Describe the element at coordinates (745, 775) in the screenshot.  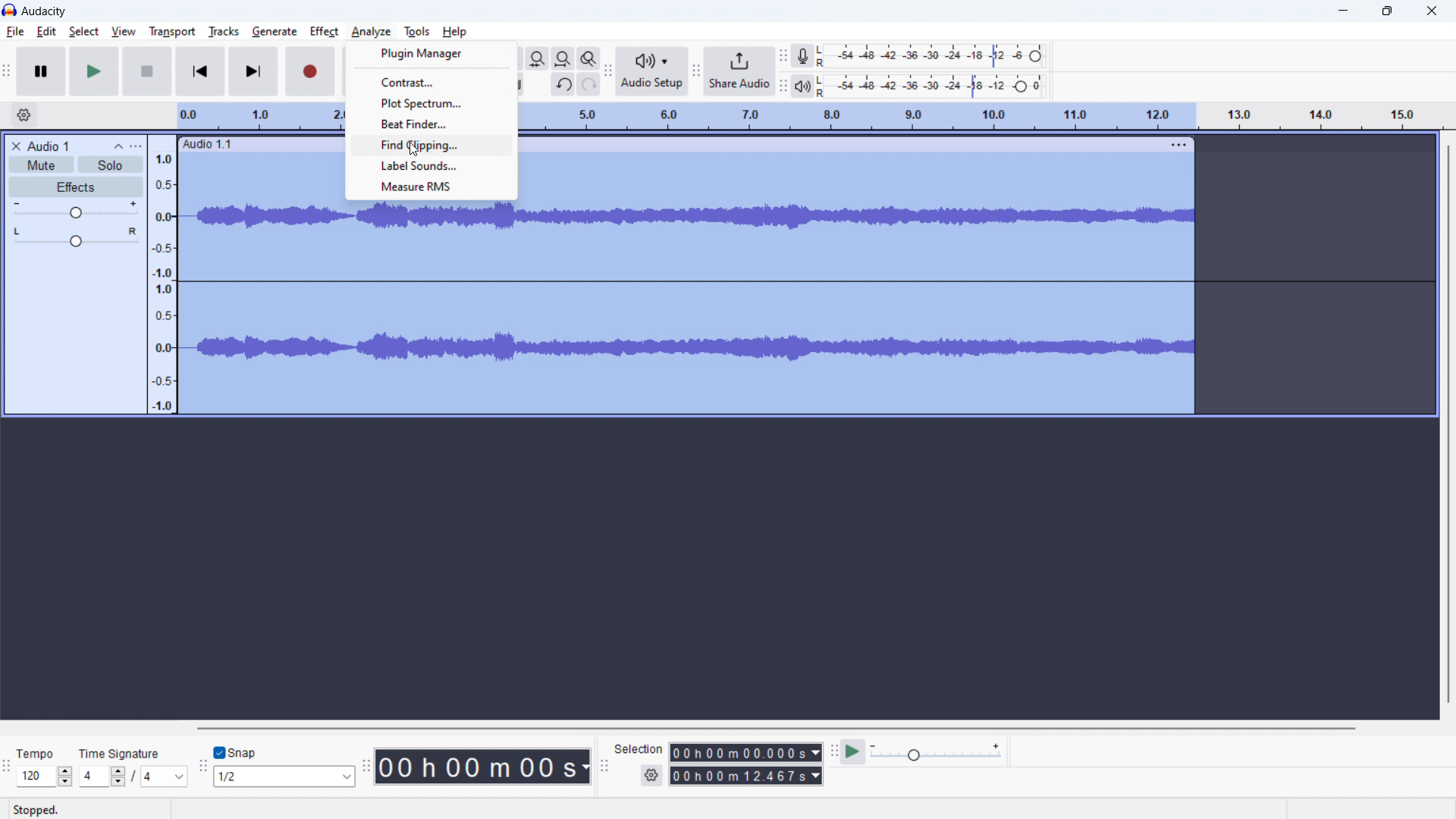
I see `end time` at that location.